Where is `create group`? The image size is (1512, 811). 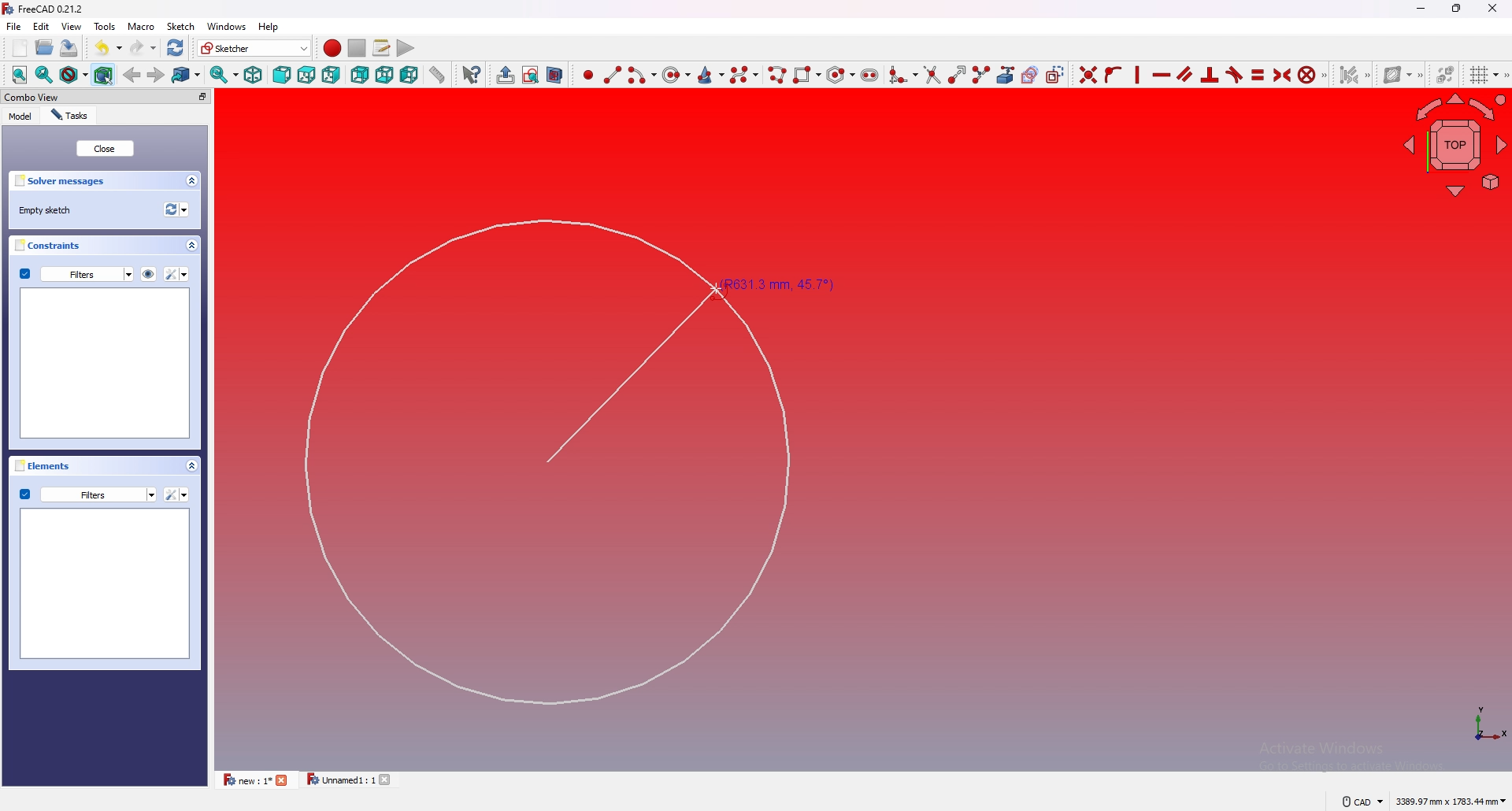
create group is located at coordinates (506, 74).